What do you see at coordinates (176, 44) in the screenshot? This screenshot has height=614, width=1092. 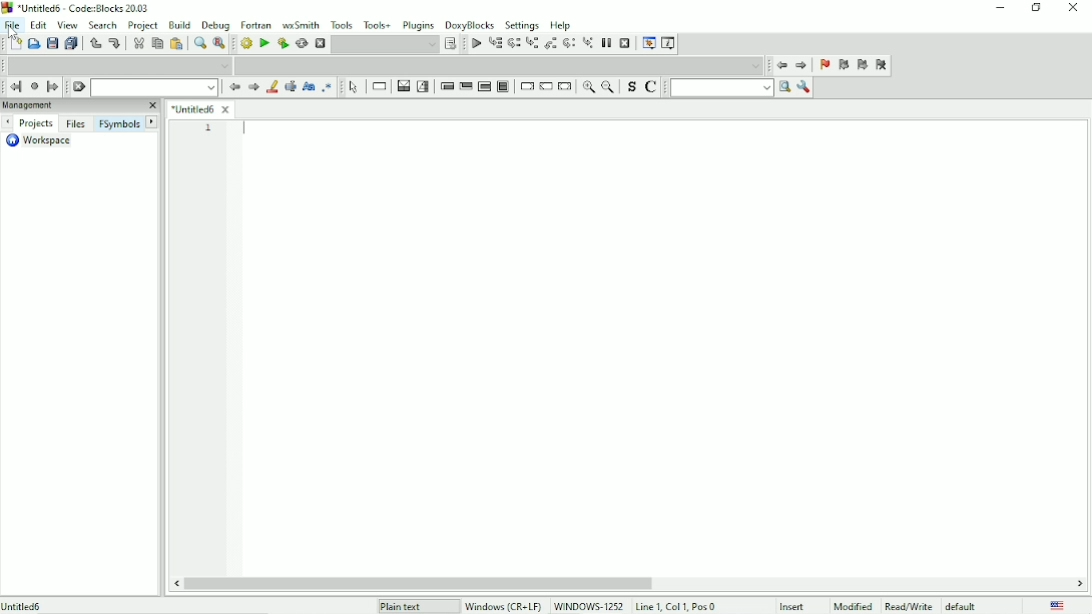 I see `Paste` at bounding box center [176, 44].